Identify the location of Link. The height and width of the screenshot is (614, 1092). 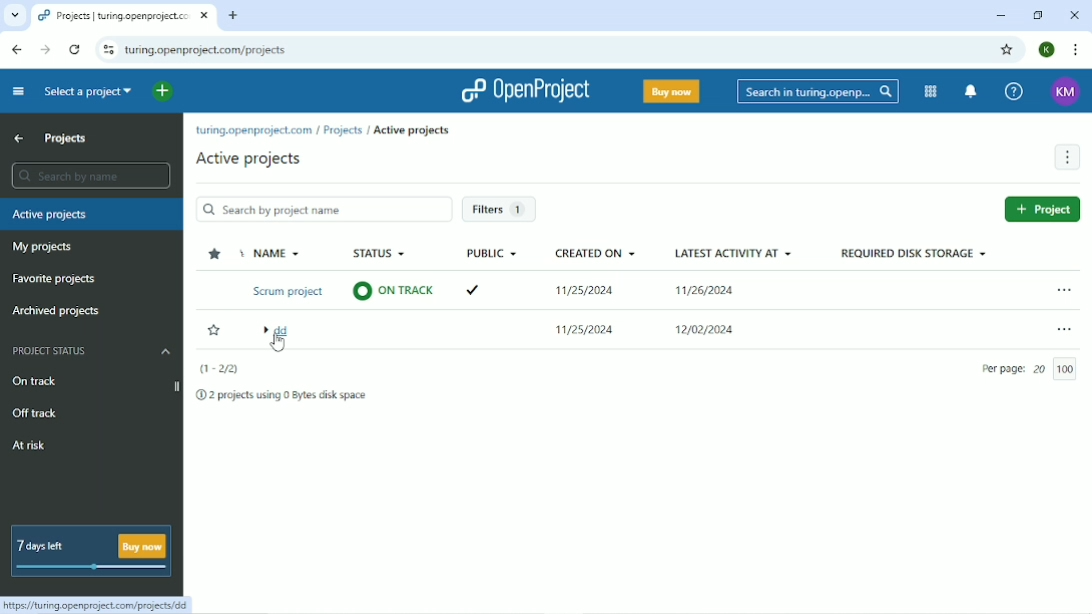
(100, 605).